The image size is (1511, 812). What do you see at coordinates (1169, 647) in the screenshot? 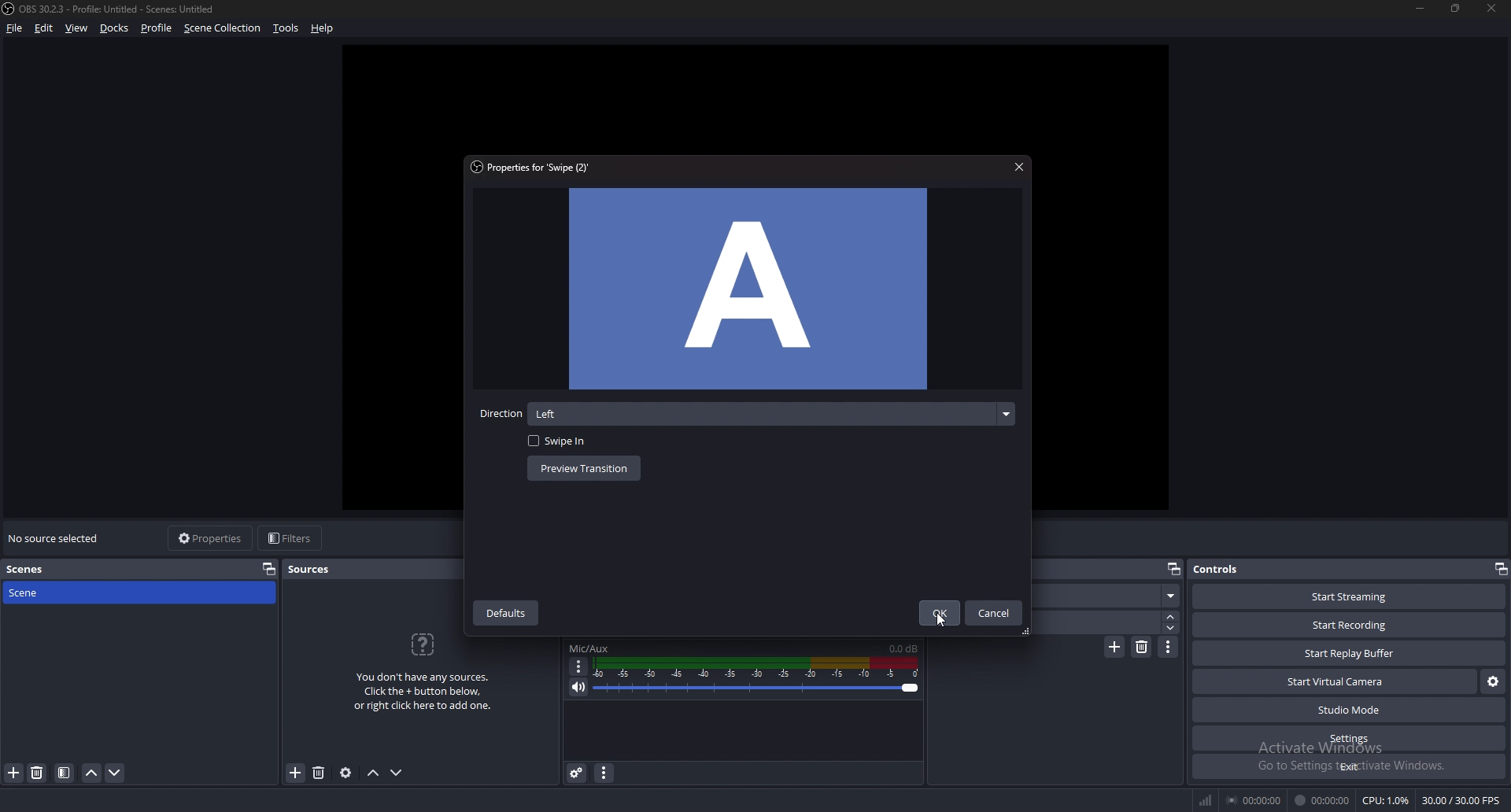
I see `transition properties` at bounding box center [1169, 647].